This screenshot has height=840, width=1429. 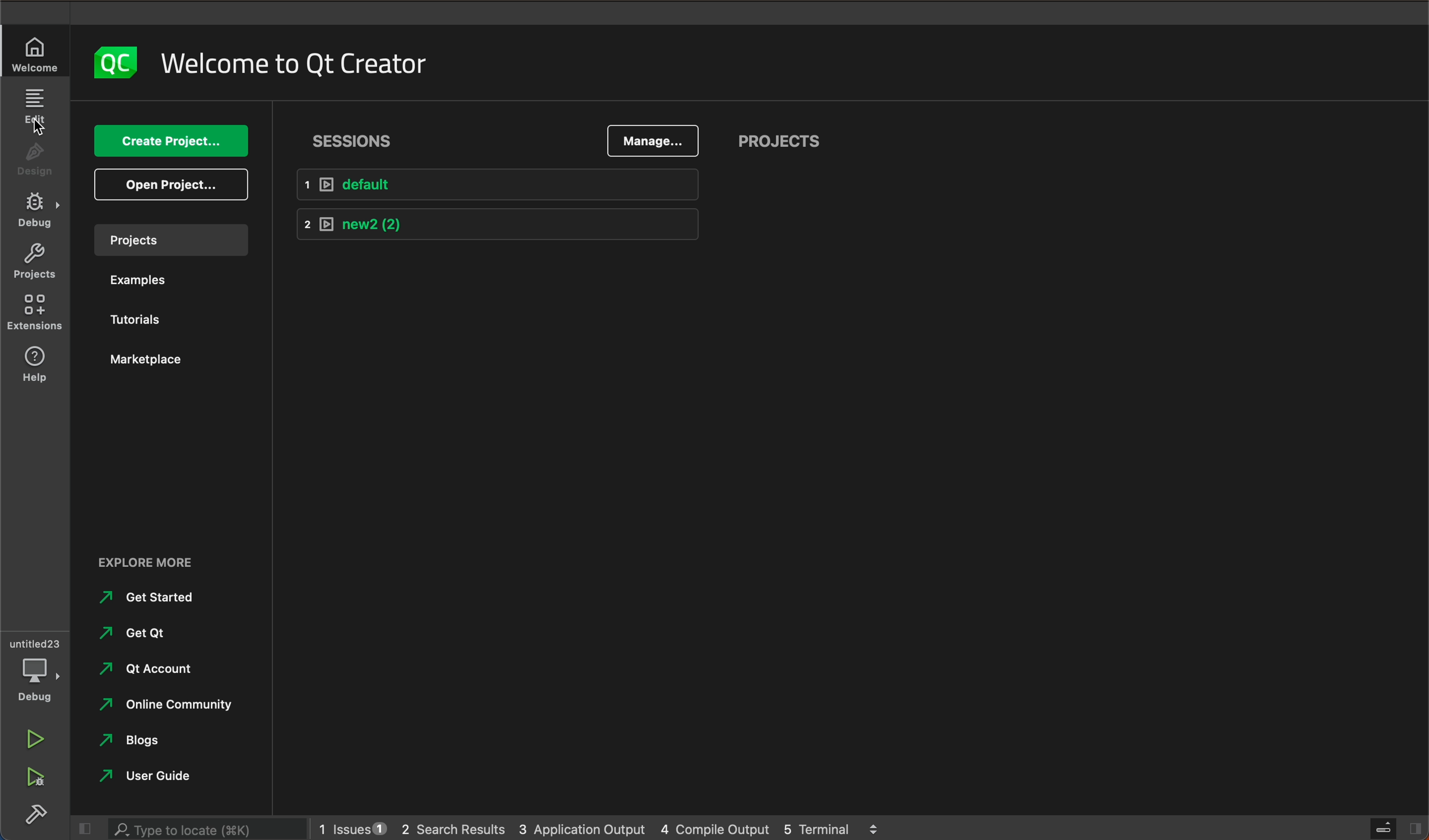 What do you see at coordinates (162, 281) in the screenshot?
I see `examples` at bounding box center [162, 281].